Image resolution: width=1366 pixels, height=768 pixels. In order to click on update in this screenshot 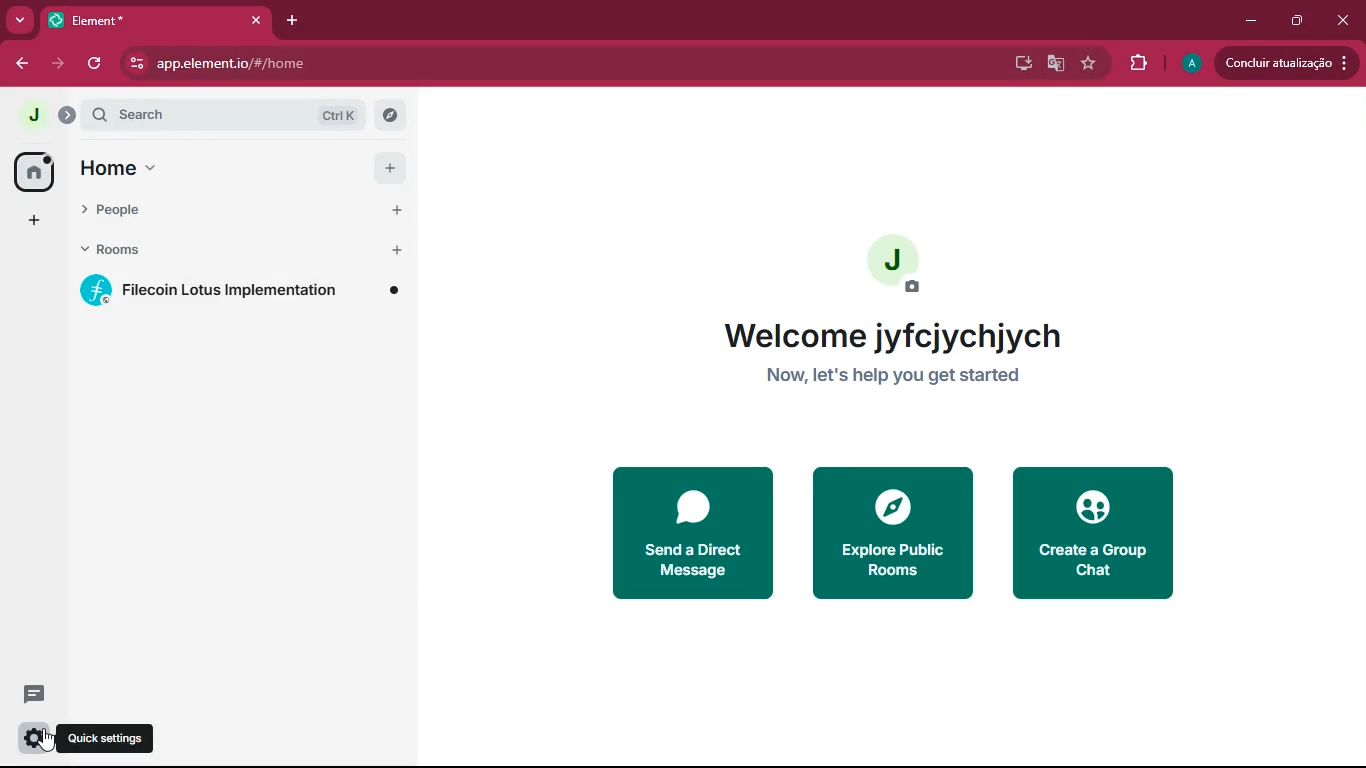, I will do `click(1286, 63)`.